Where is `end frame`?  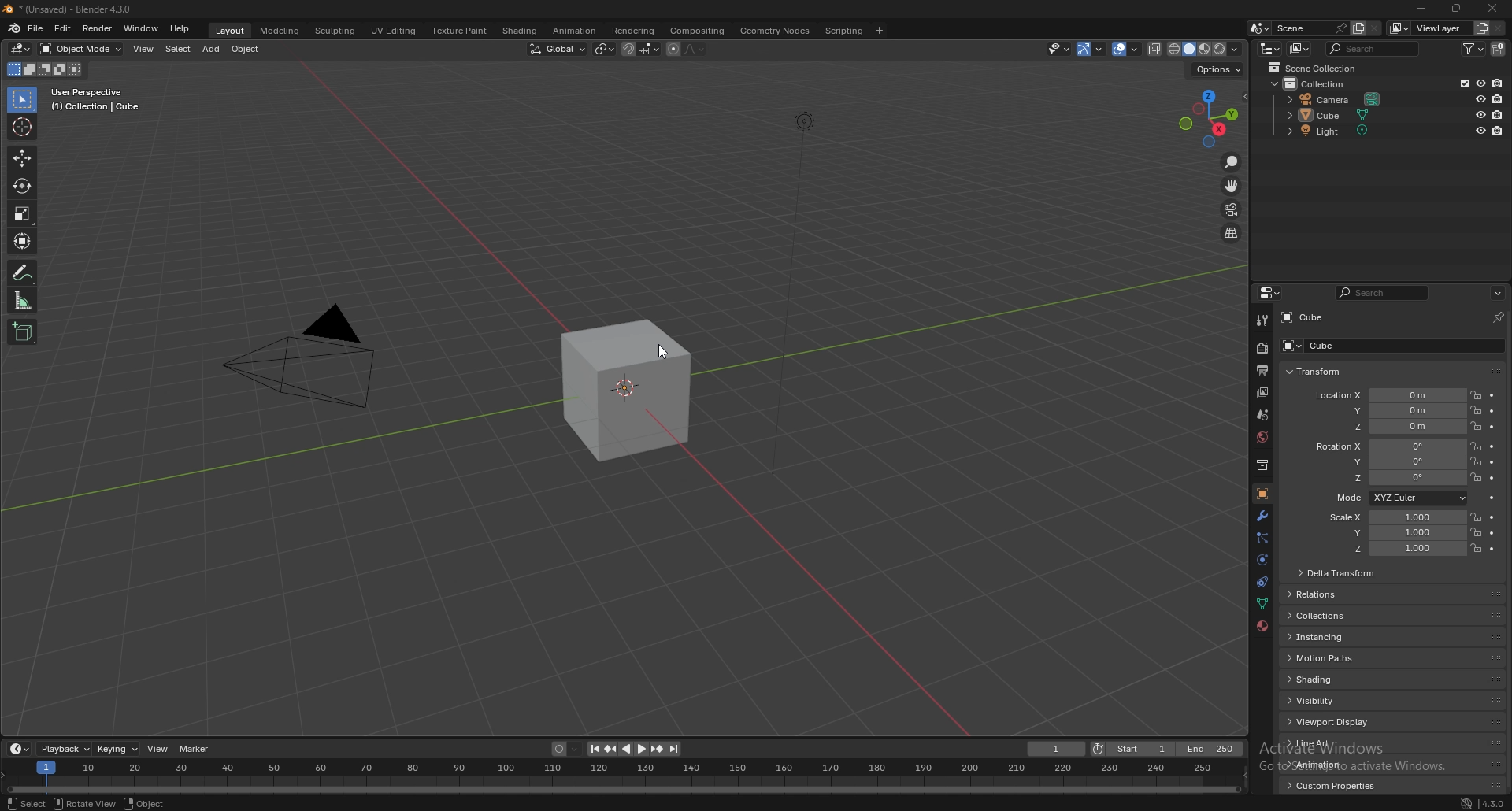 end frame is located at coordinates (1211, 749).